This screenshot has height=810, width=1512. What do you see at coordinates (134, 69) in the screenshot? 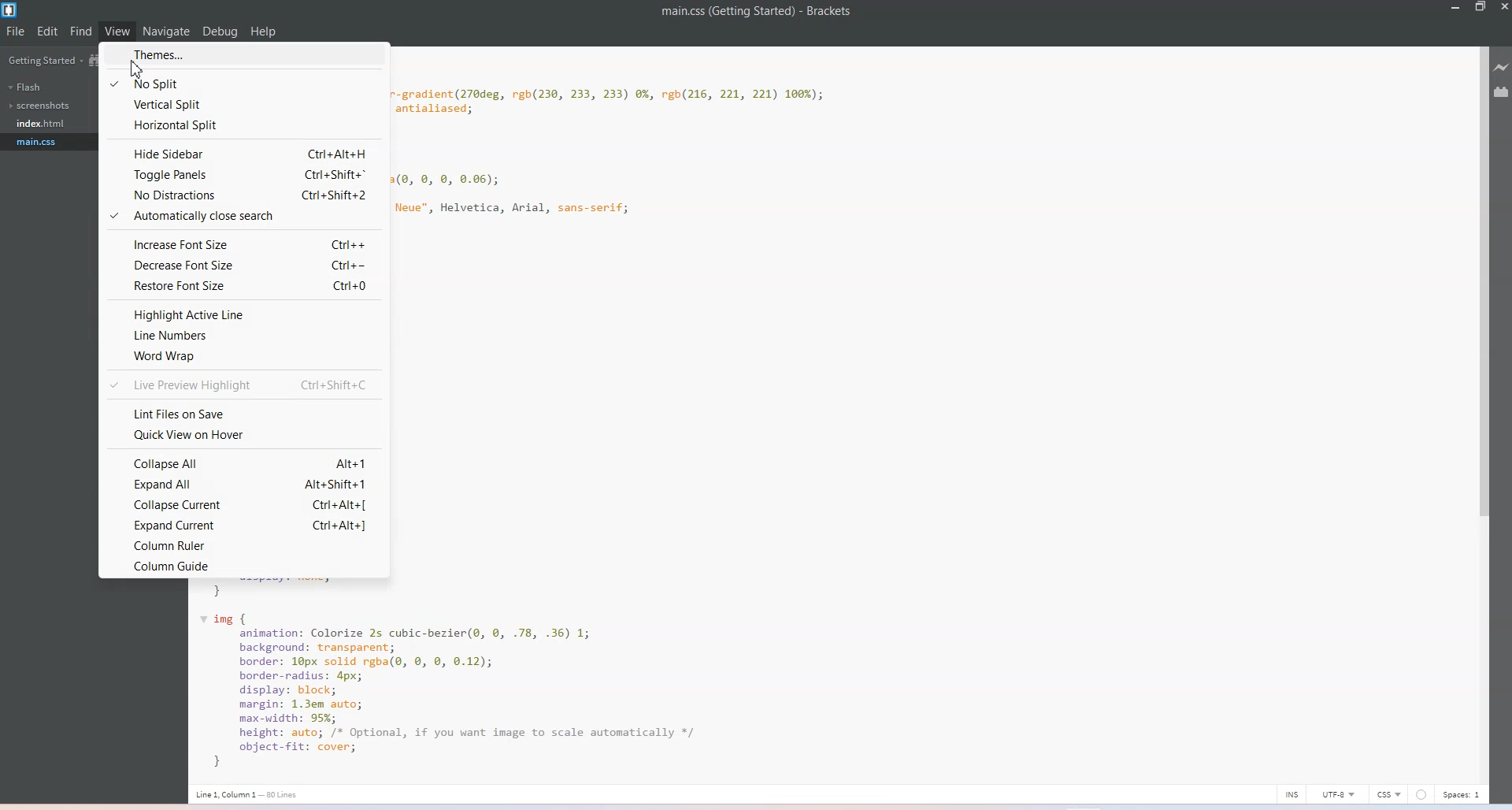
I see `cursor` at bounding box center [134, 69].